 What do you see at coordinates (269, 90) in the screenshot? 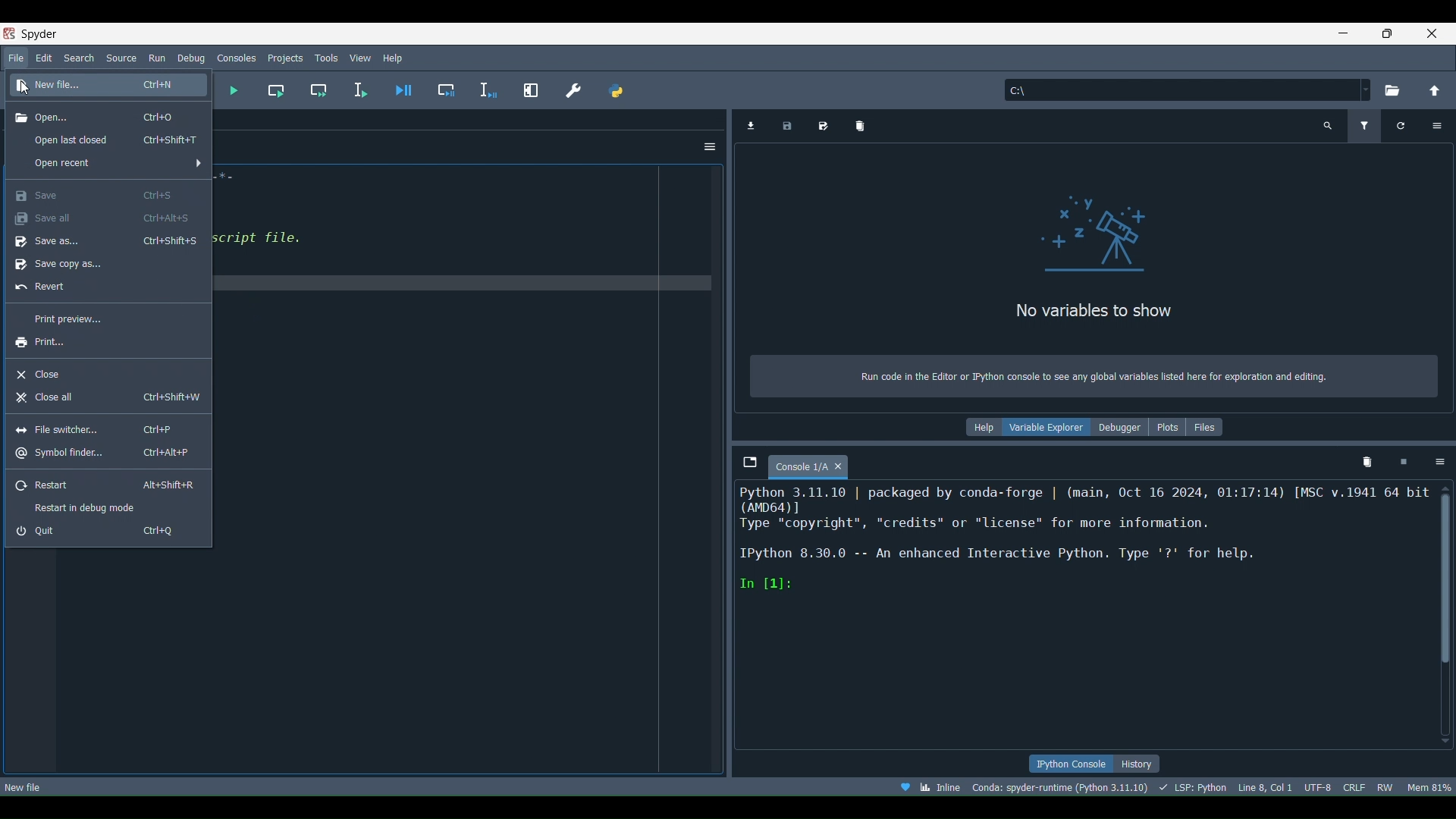
I see `Run current cell ( Ctrl + Return)` at bounding box center [269, 90].